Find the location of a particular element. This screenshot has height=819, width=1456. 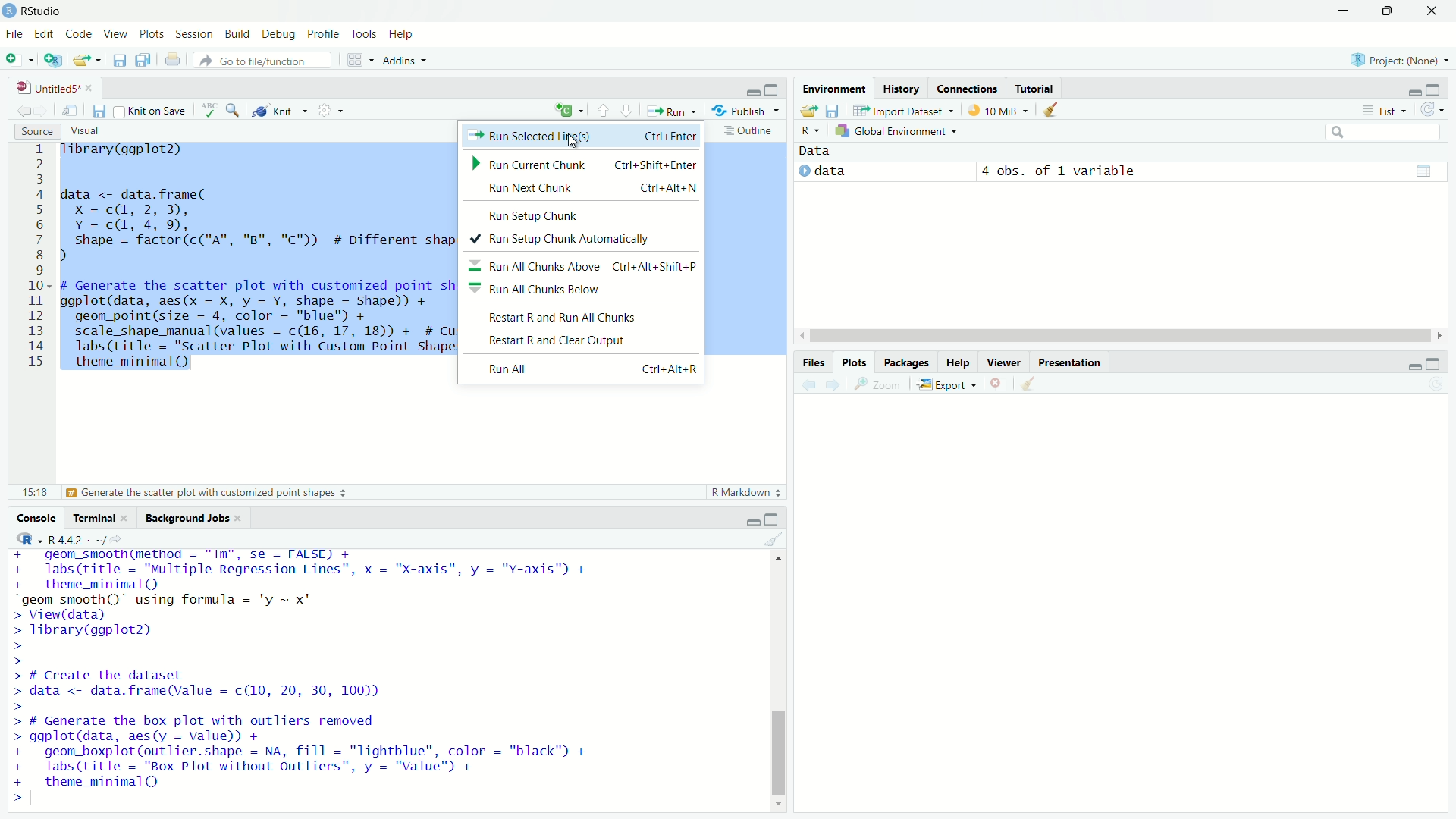

Help is located at coordinates (958, 362).